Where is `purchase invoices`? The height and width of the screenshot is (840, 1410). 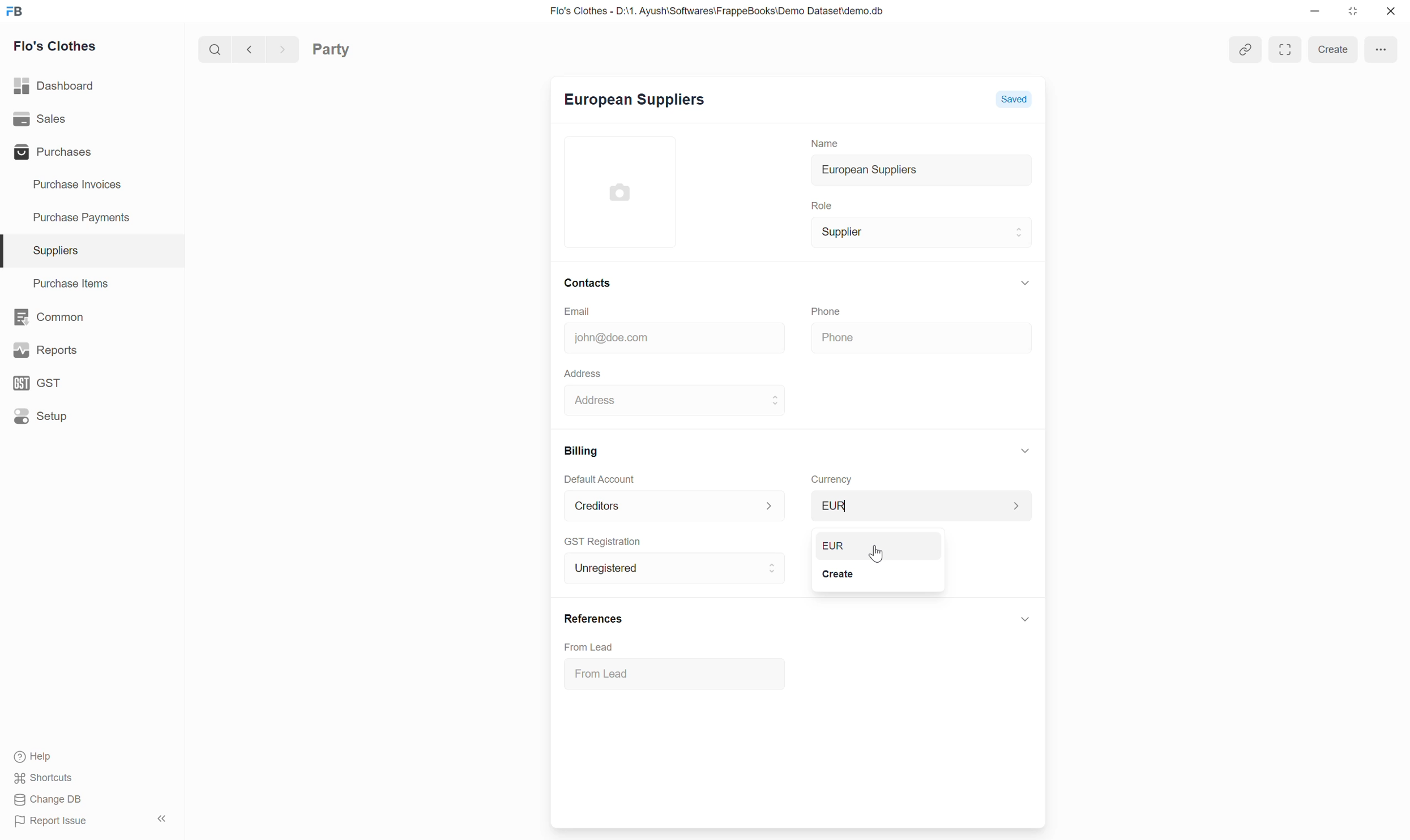 purchase invoices is located at coordinates (75, 185).